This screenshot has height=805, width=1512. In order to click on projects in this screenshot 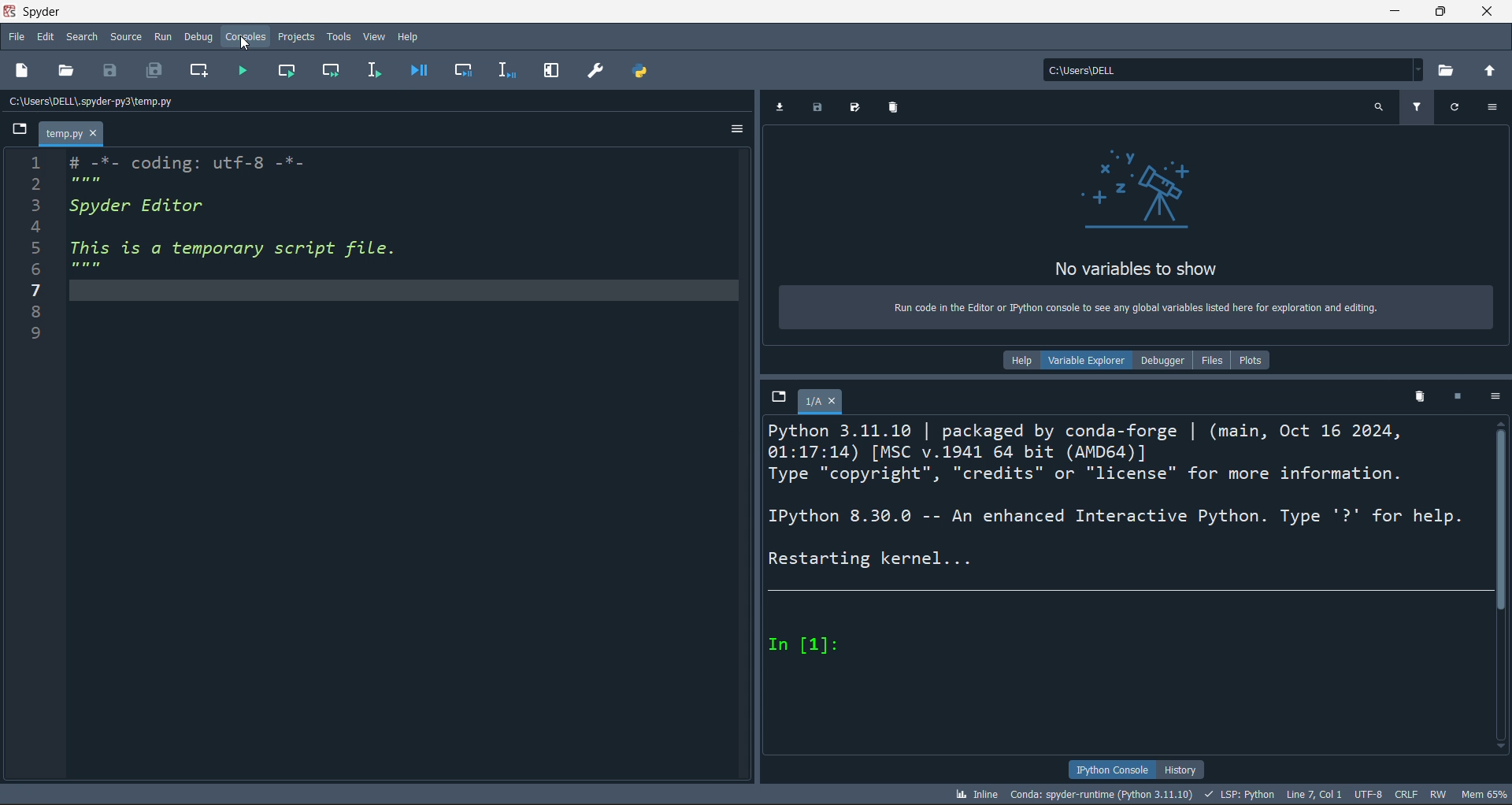, I will do `click(295, 36)`.